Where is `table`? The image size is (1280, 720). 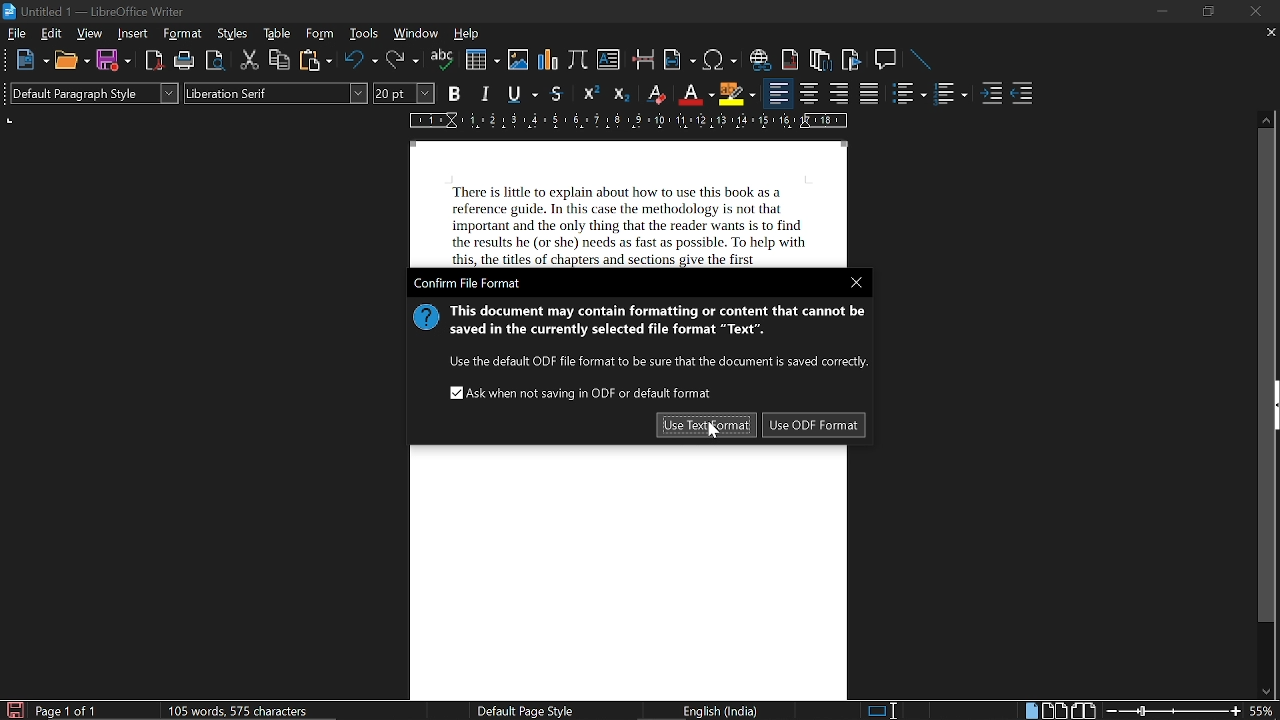
table is located at coordinates (279, 33).